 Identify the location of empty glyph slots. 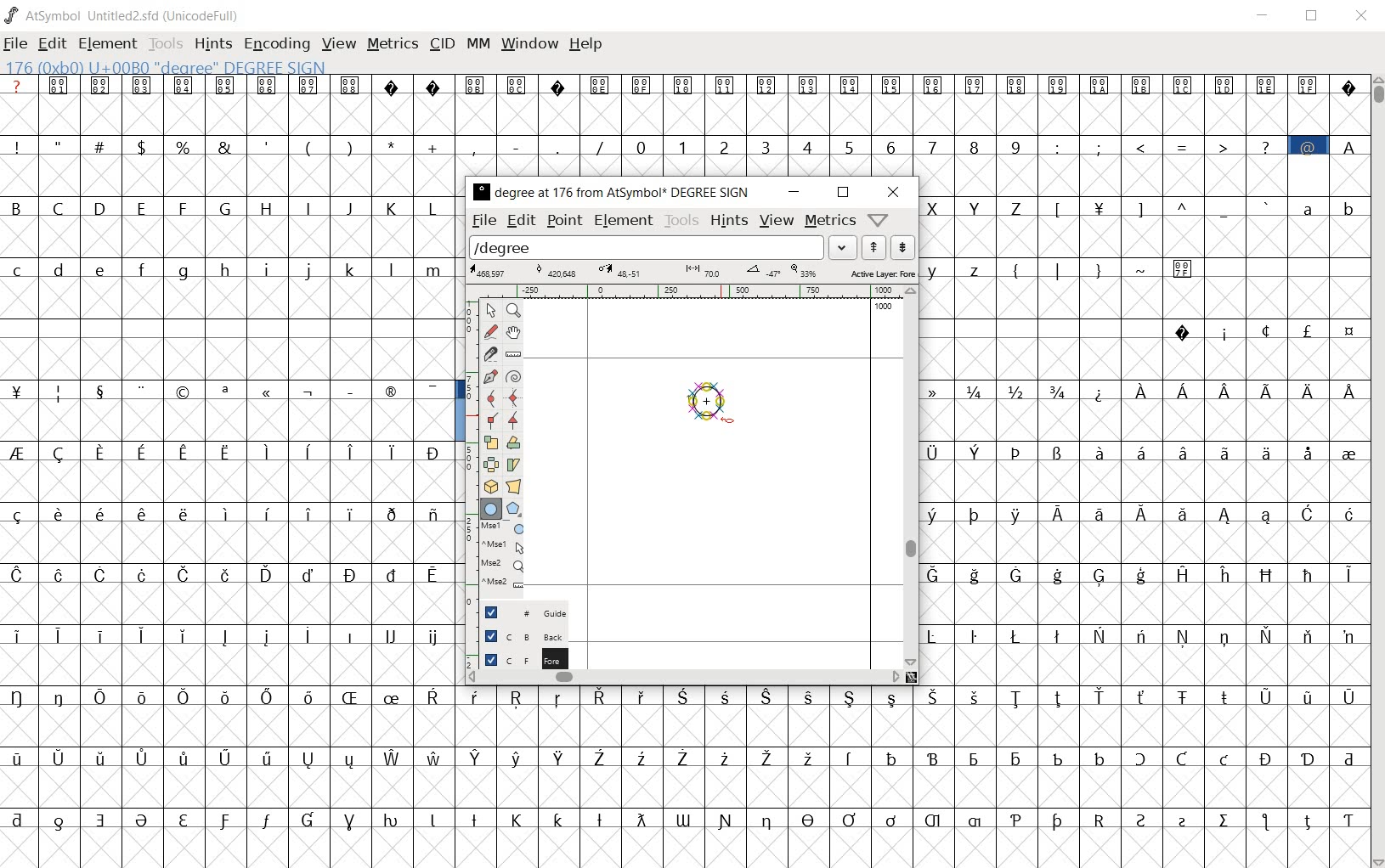
(1146, 174).